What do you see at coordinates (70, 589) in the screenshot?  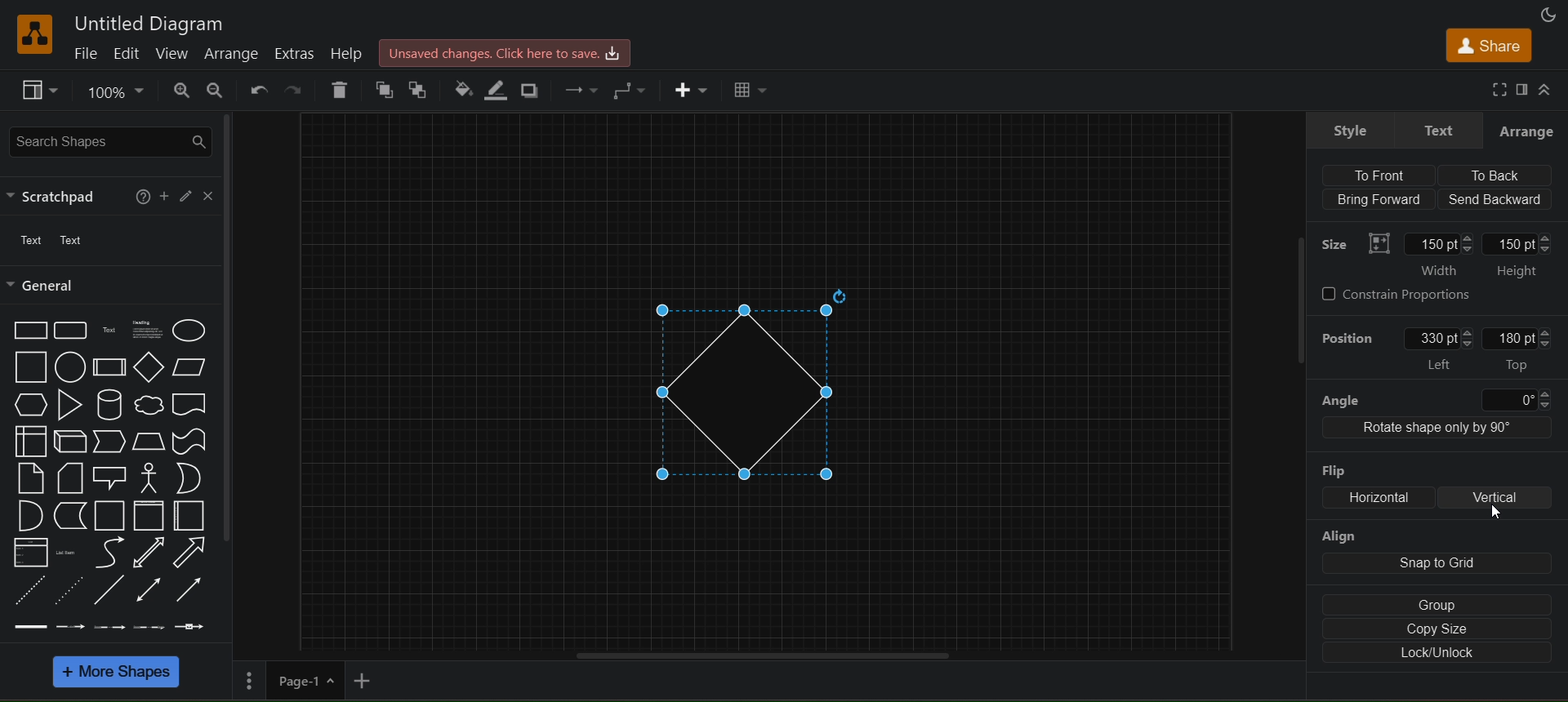 I see `doted line` at bounding box center [70, 589].